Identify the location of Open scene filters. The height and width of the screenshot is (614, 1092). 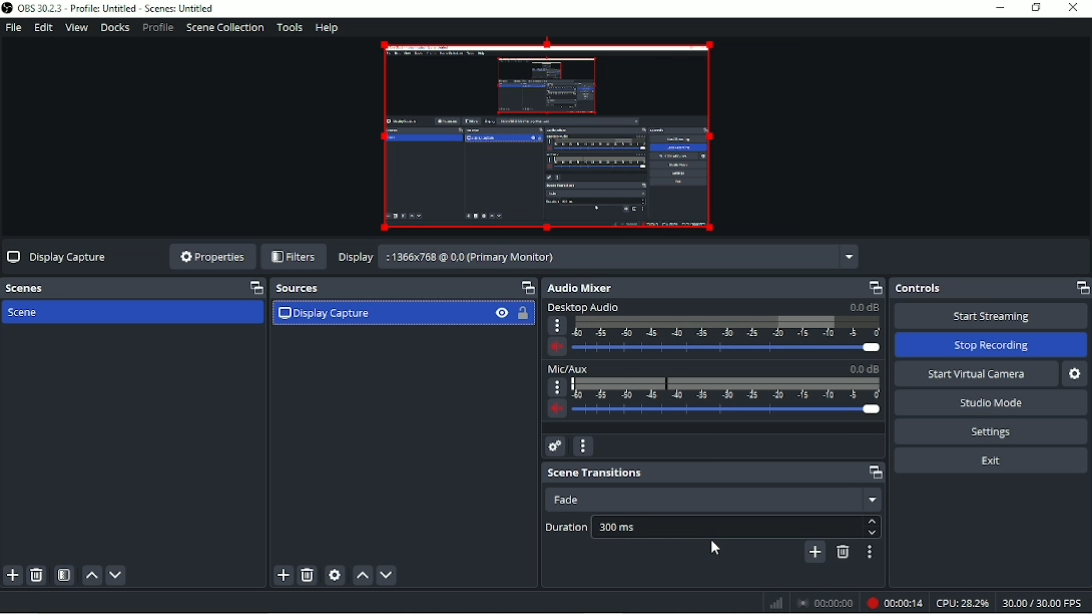
(67, 575).